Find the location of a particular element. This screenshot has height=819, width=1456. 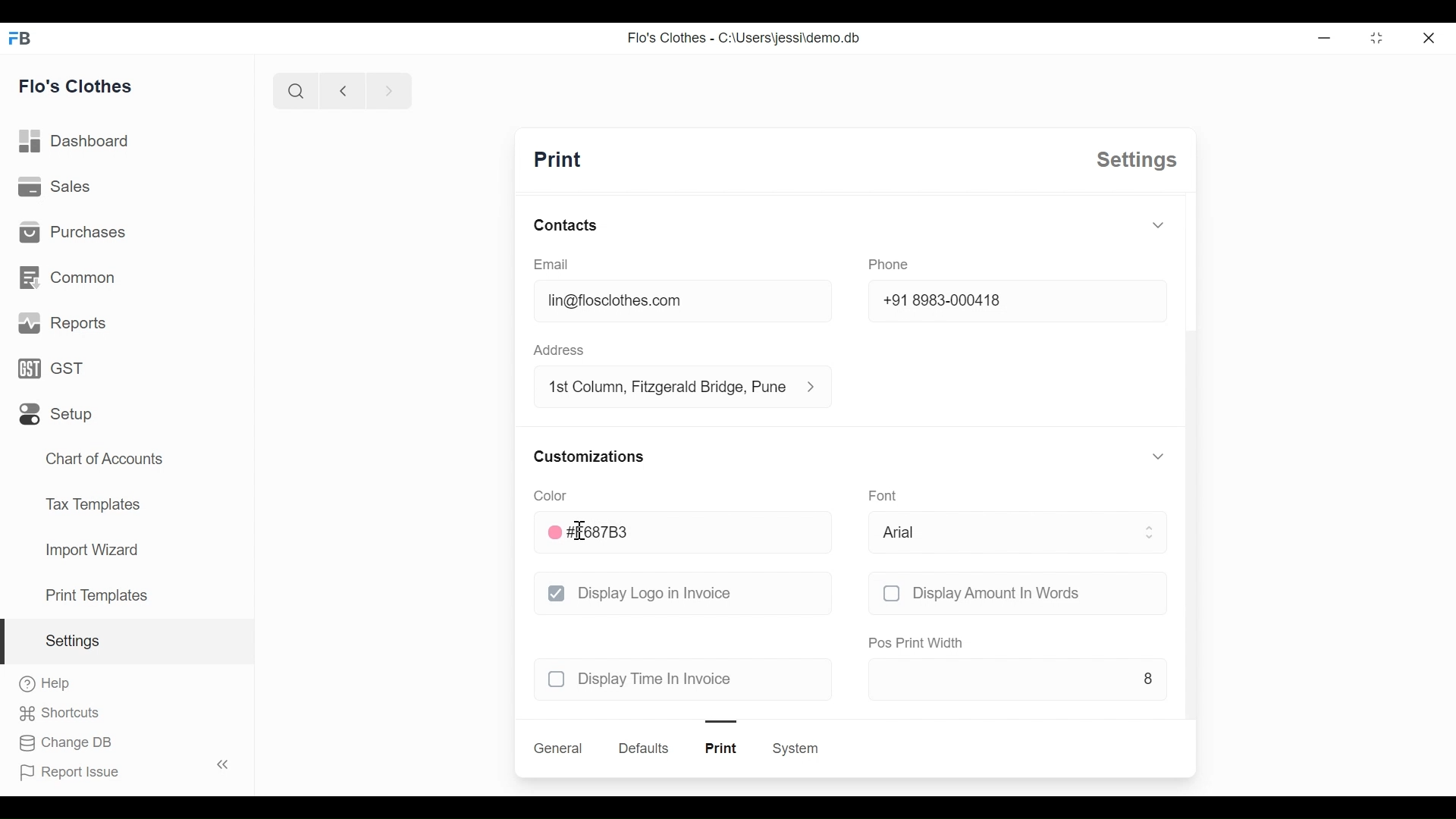

FB is located at coordinates (21, 37).